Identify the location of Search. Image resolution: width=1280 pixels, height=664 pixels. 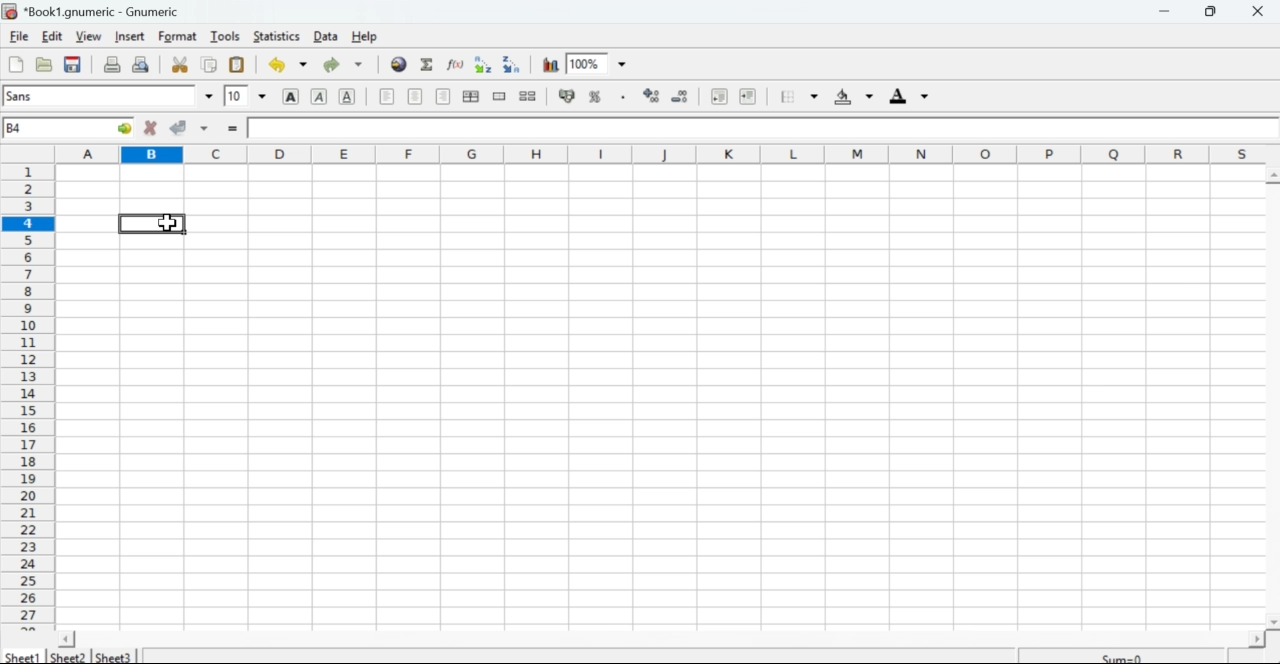
(398, 63).